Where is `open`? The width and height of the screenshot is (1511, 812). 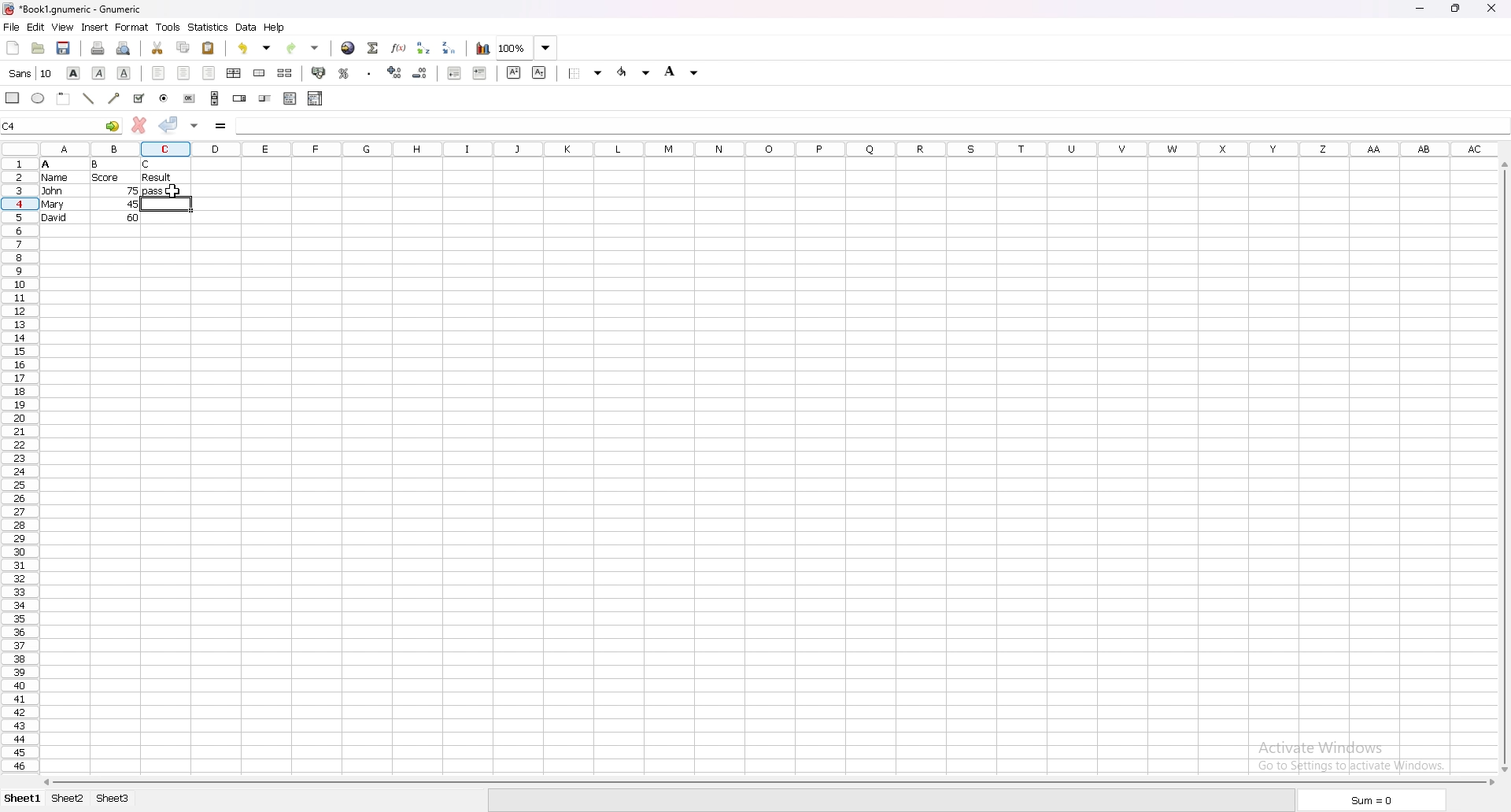 open is located at coordinates (39, 48).